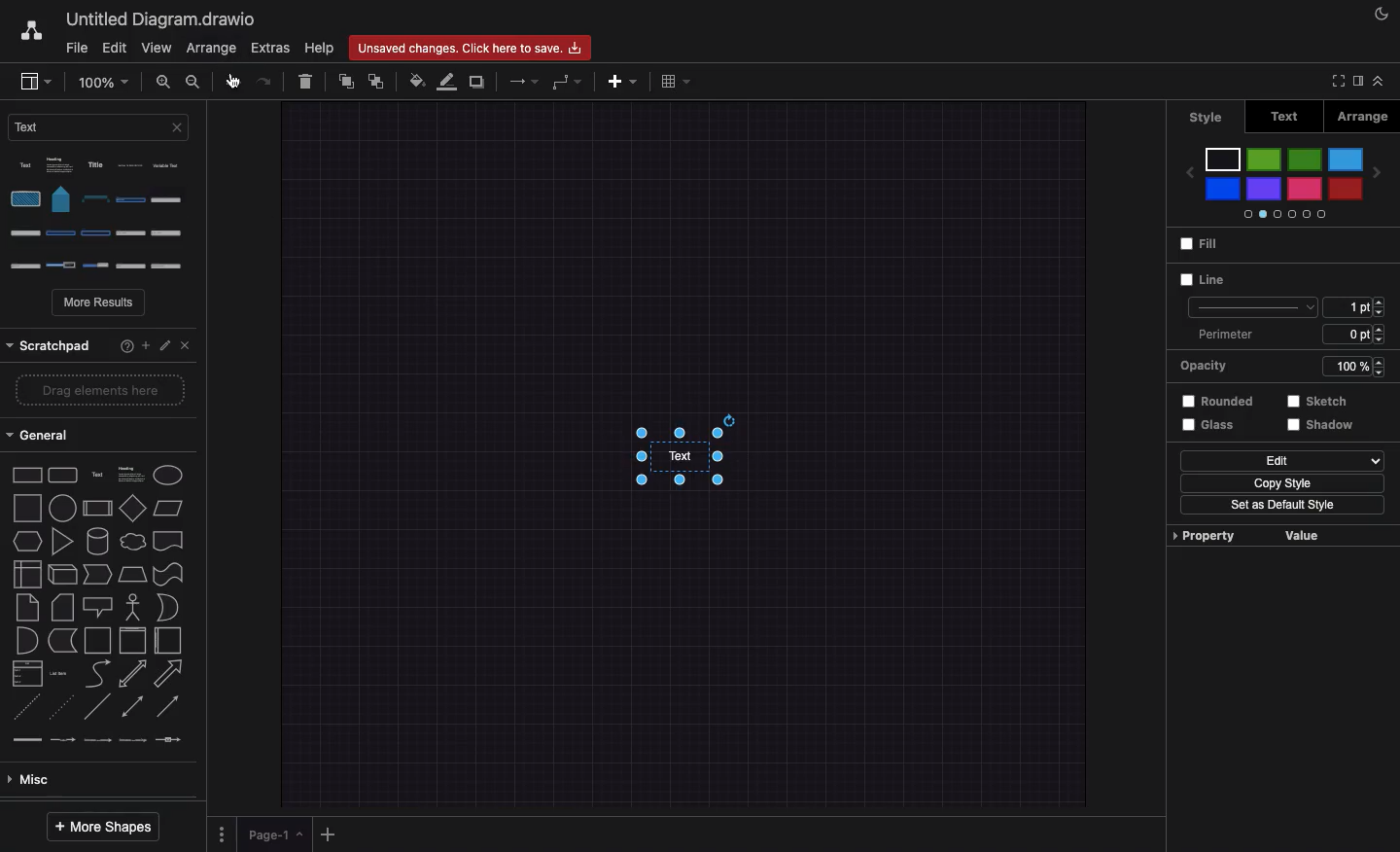 This screenshot has height=852, width=1400. What do you see at coordinates (145, 343) in the screenshot?
I see `Add` at bounding box center [145, 343].